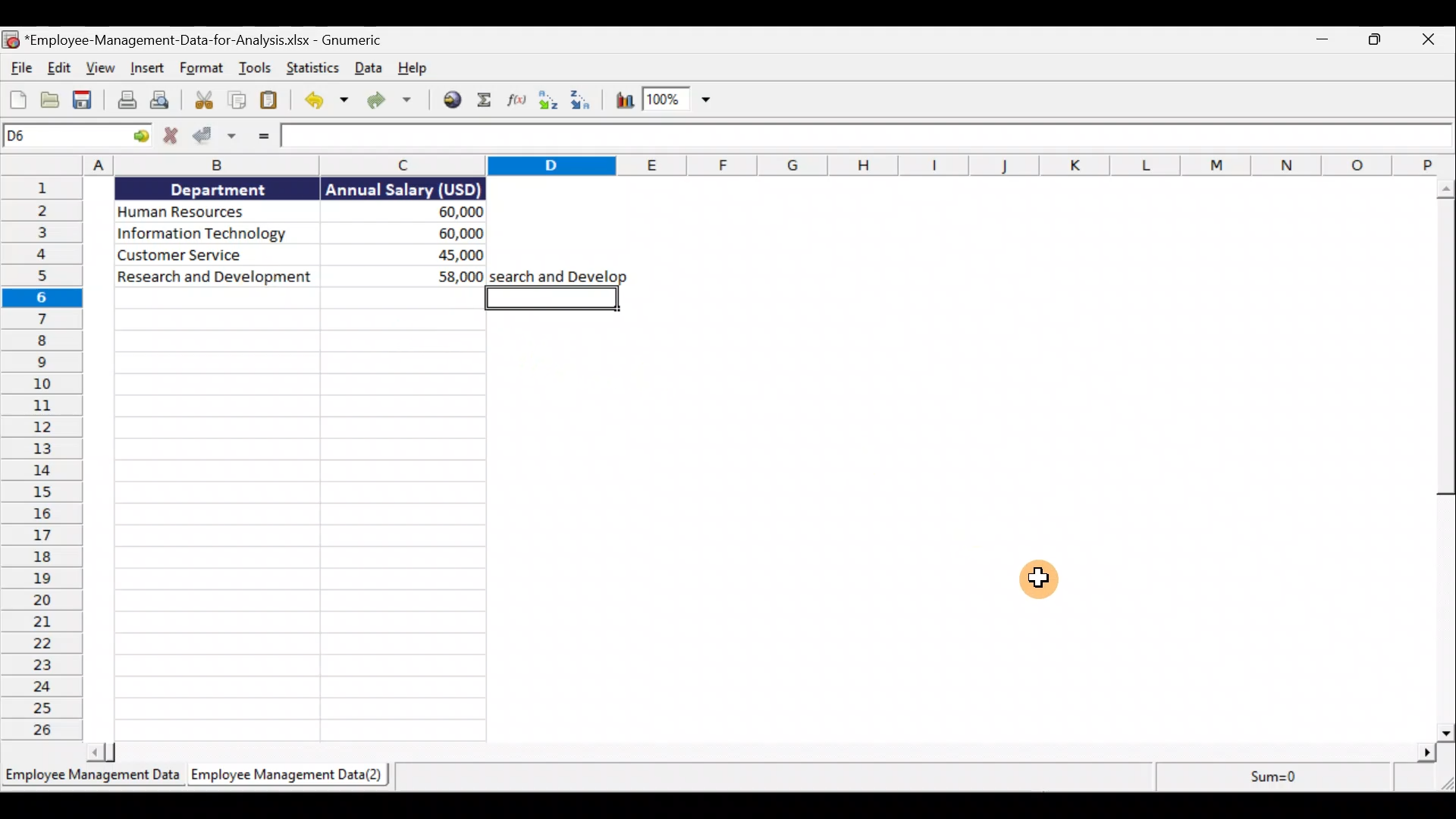 Image resolution: width=1456 pixels, height=819 pixels. I want to click on View, so click(102, 69).